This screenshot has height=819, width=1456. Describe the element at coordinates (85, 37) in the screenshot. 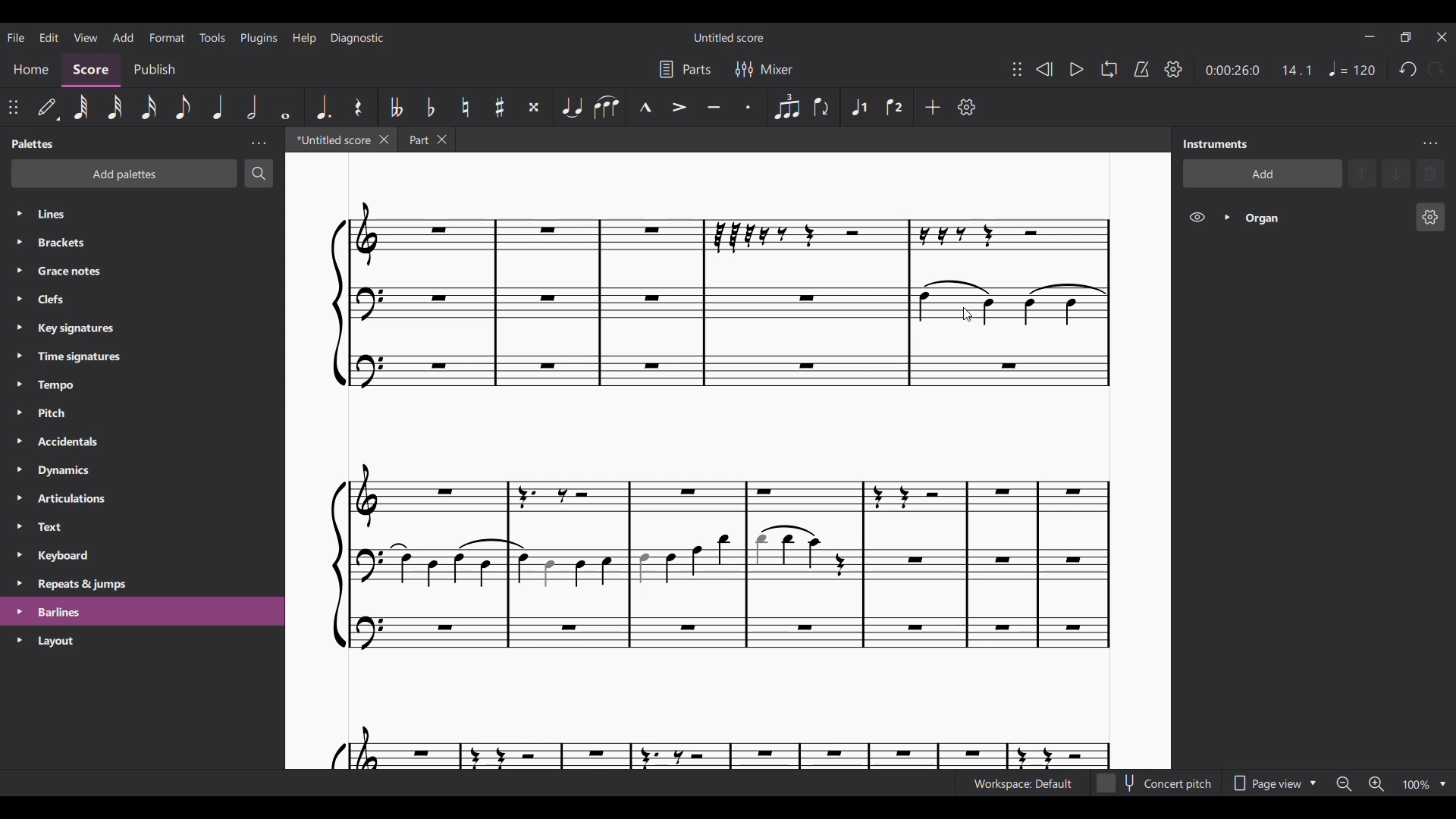

I see `View menu` at that location.